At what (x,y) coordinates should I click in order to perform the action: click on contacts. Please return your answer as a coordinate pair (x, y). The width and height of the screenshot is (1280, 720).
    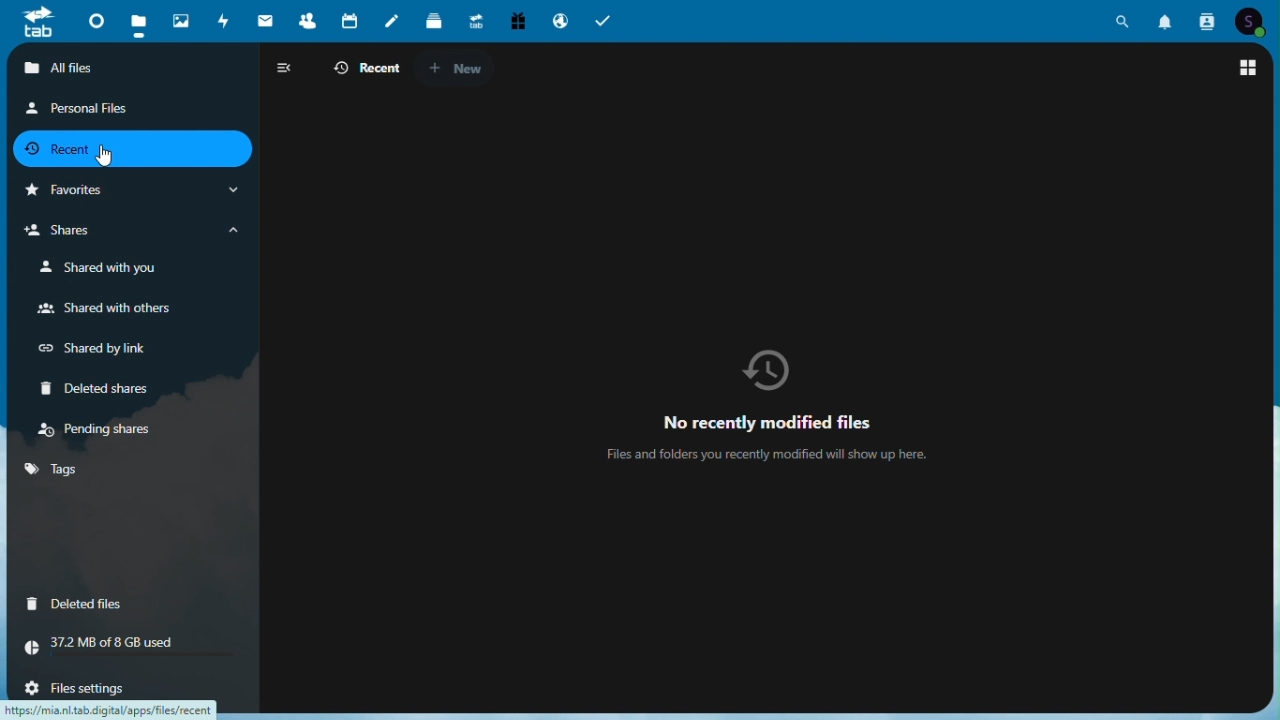
    Looking at the image, I should click on (308, 20).